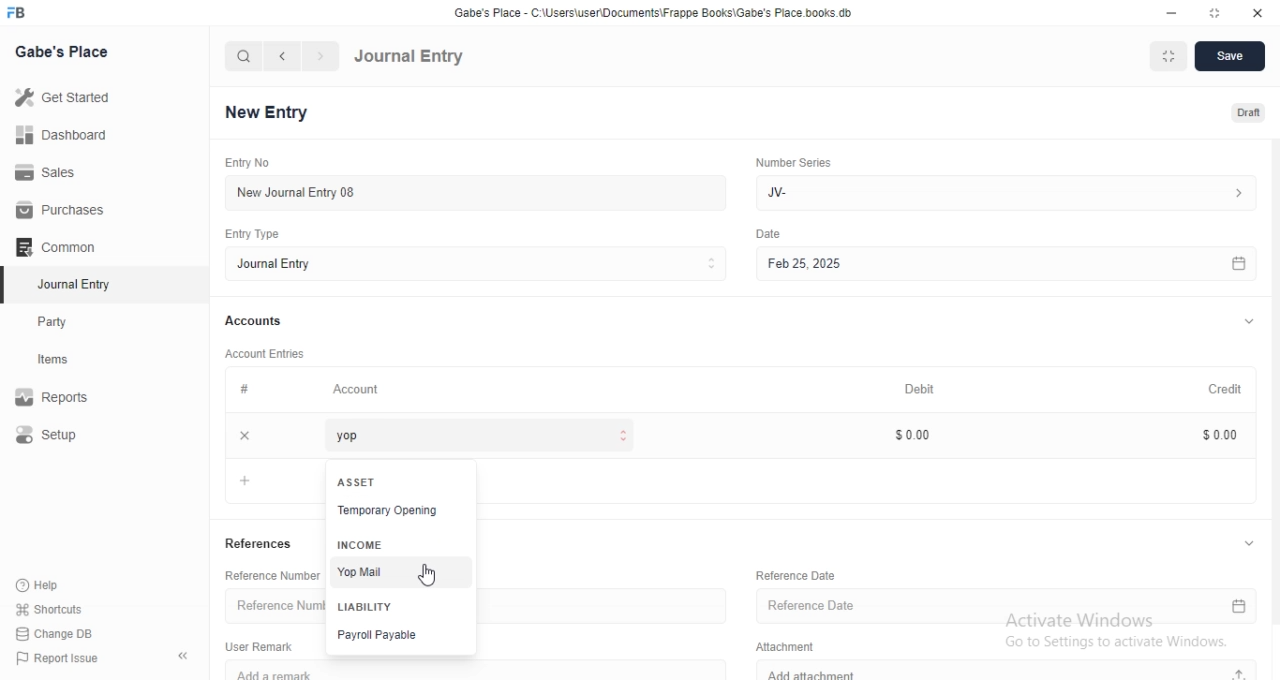 The image size is (1280, 680). Describe the element at coordinates (60, 247) in the screenshot. I see `Common` at that location.